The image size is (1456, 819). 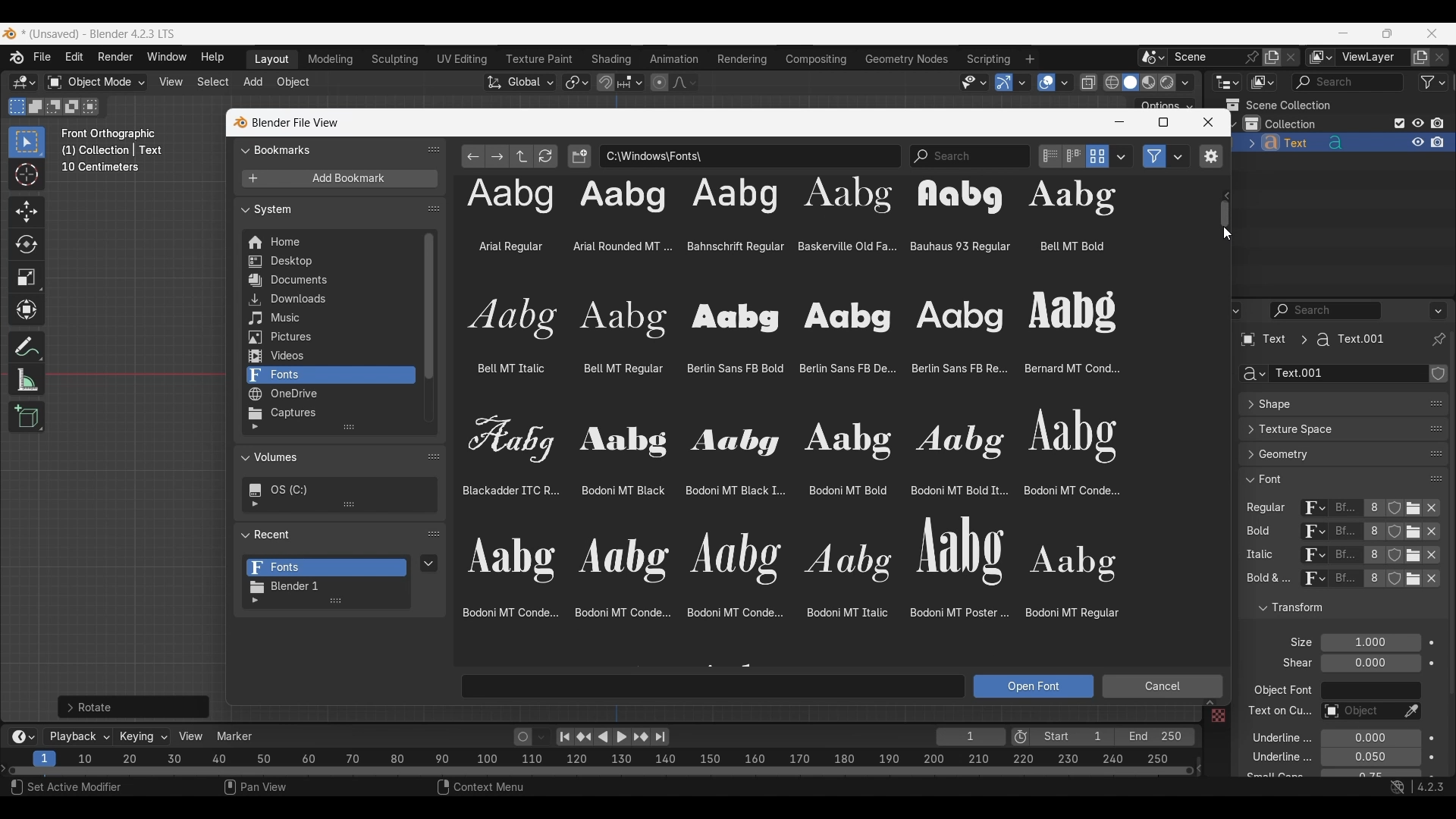 I want to click on Rotate, so click(x=27, y=244).